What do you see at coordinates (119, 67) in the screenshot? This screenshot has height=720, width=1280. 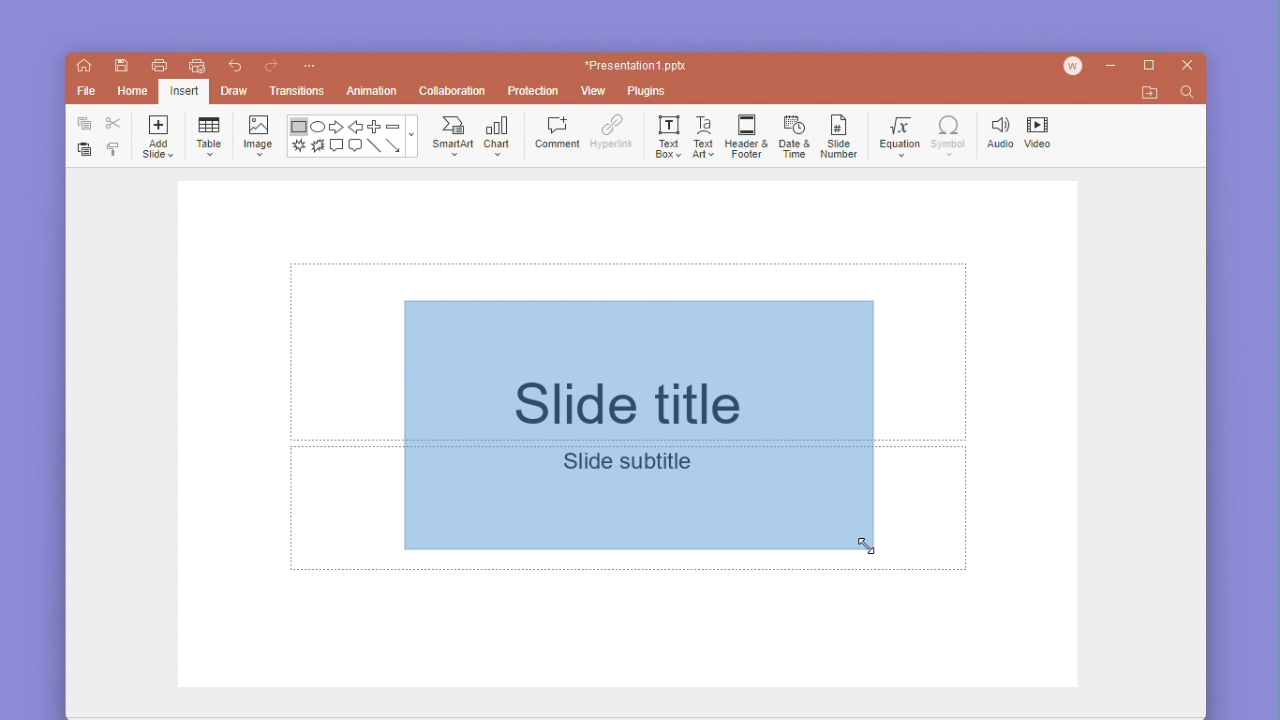 I see `save` at bounding box center [119, 67].